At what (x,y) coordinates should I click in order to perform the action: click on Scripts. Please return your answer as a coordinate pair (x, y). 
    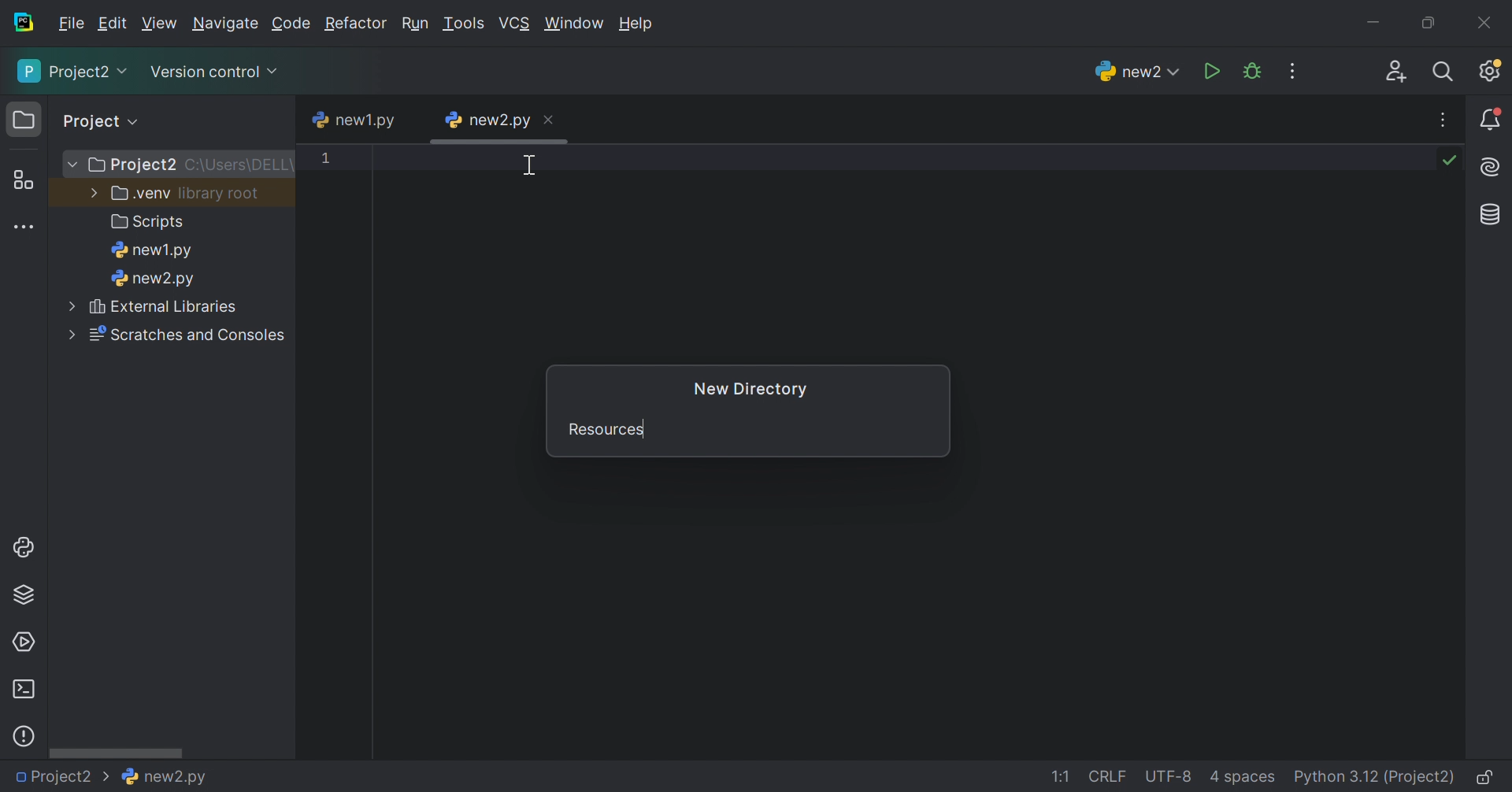
    Looking at the image, I should click on (150, 220).